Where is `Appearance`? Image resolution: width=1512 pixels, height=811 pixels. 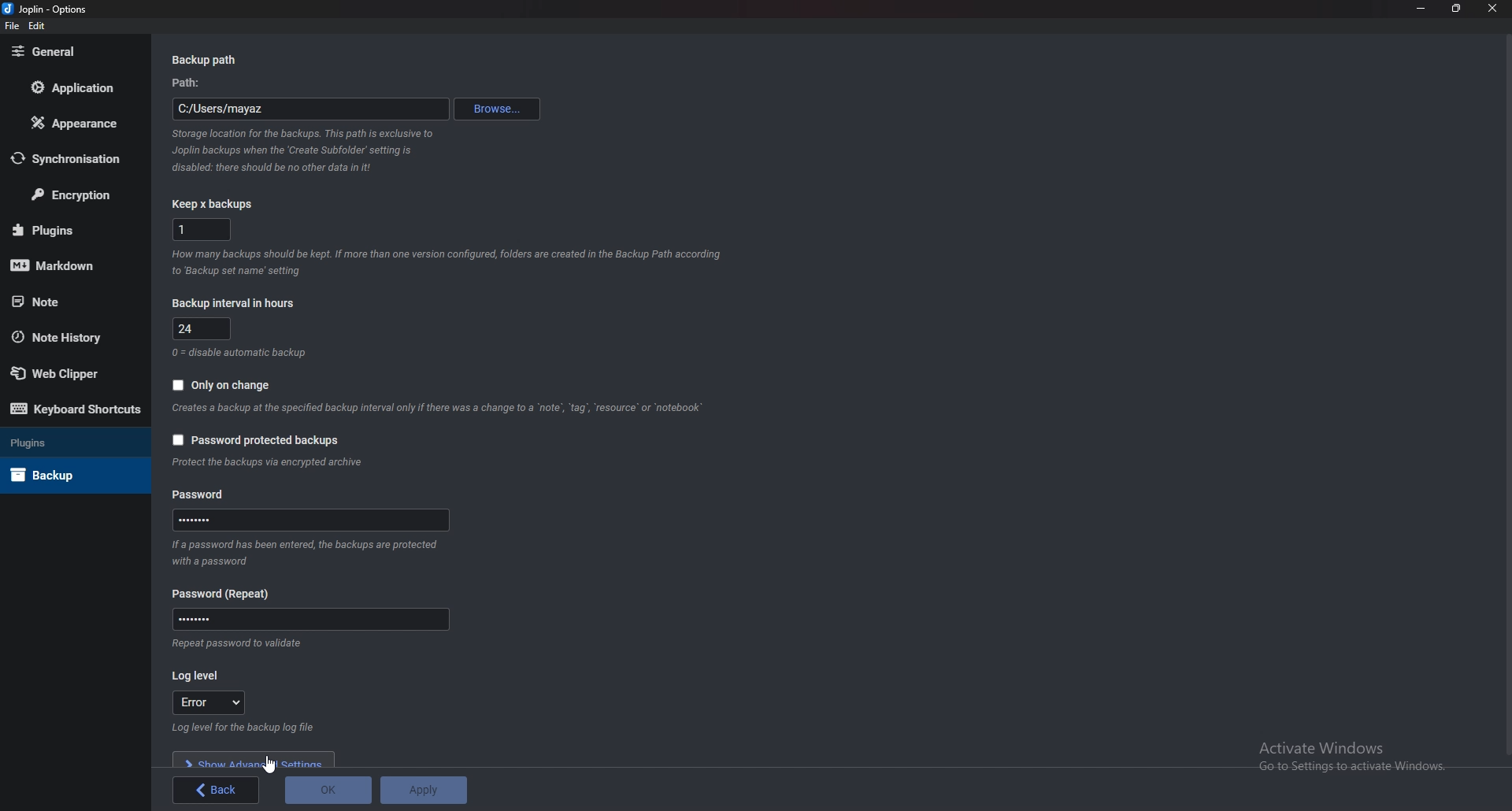
Appearance is located at coordinates (79, 121).